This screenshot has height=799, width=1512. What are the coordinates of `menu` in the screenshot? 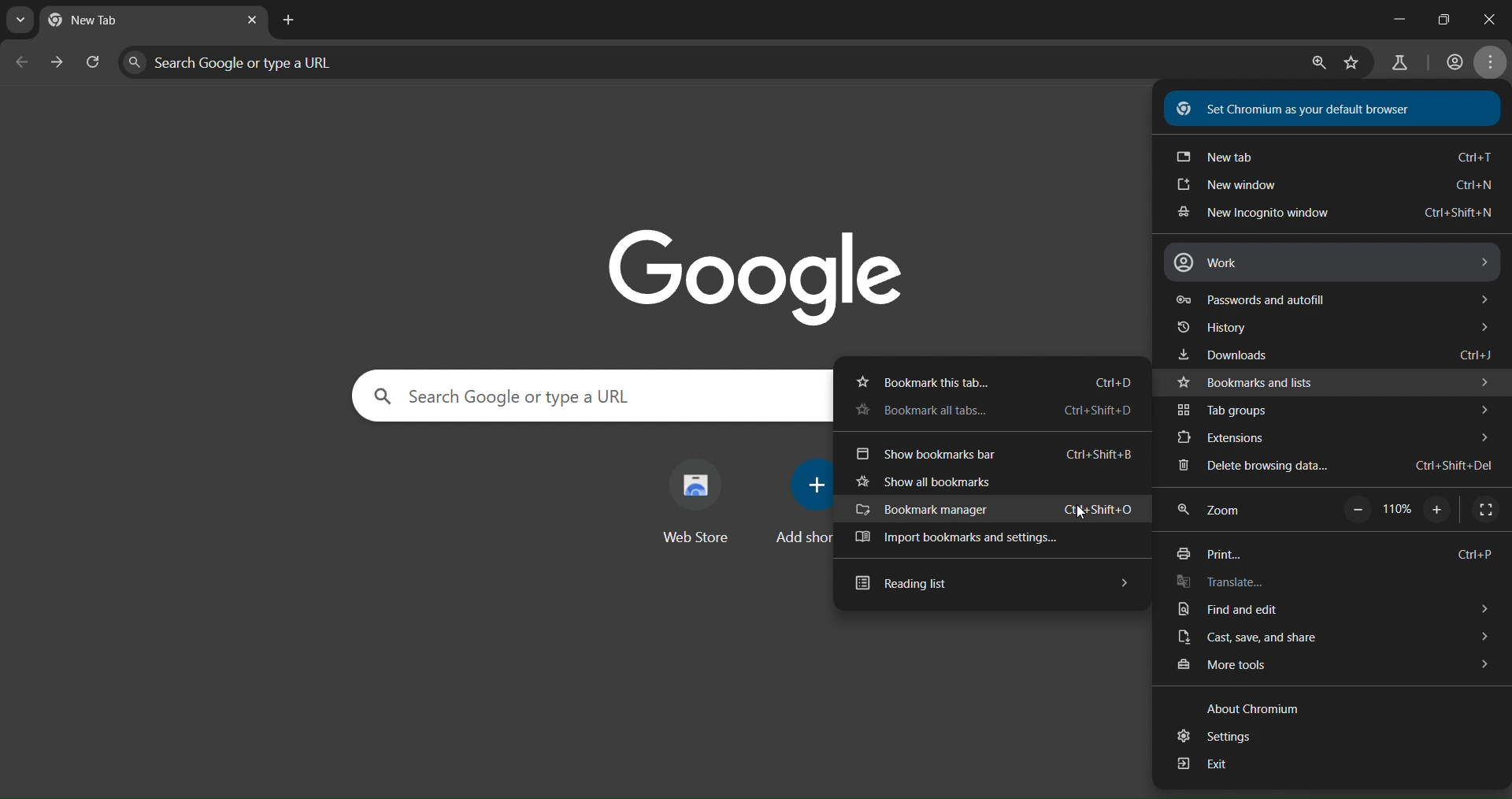 It's located at (1494, 64).